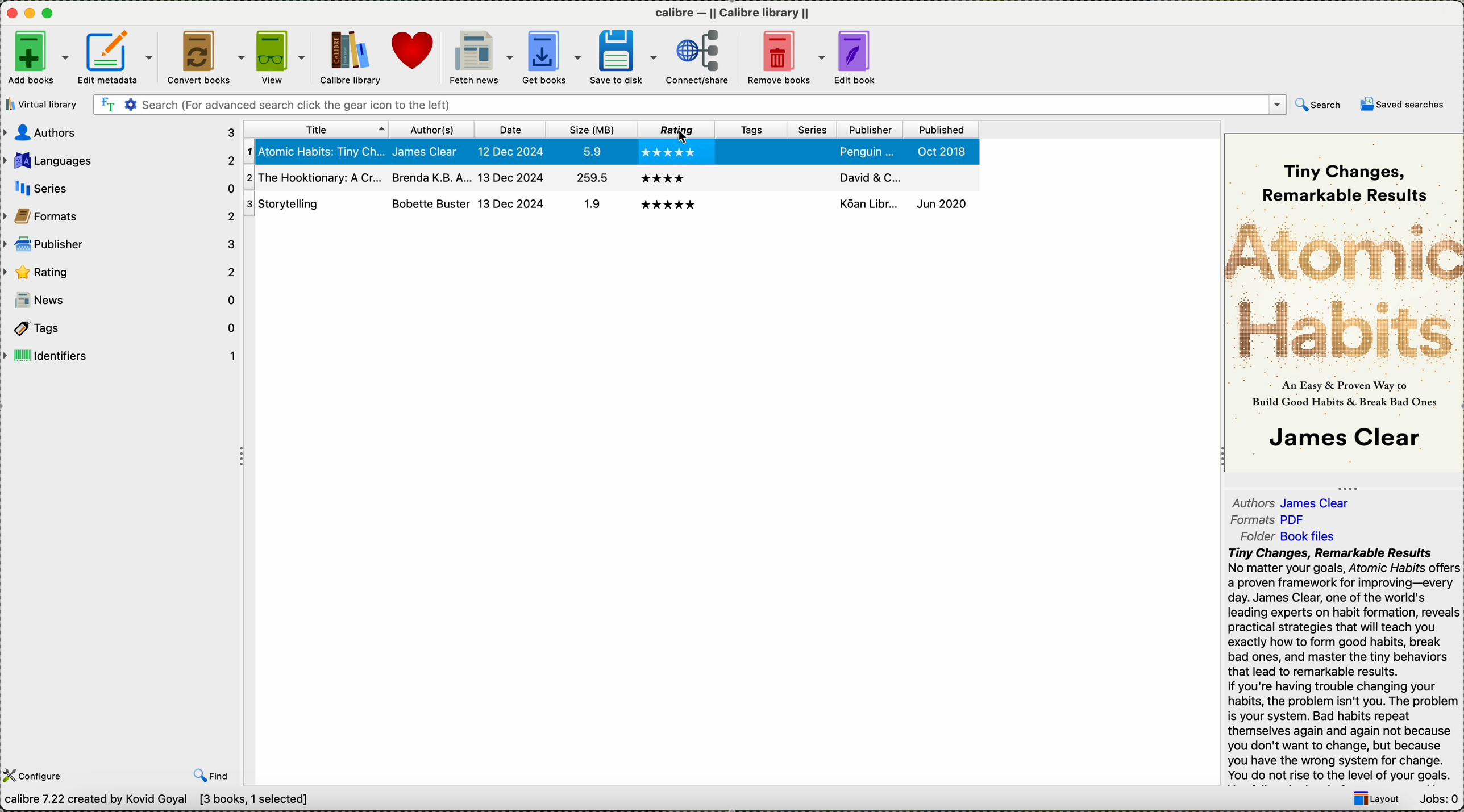 This screenshot has height=812, width=1464. Describe the element at coordinates (413, 51) in the screenshot. I see `donate` at that location.